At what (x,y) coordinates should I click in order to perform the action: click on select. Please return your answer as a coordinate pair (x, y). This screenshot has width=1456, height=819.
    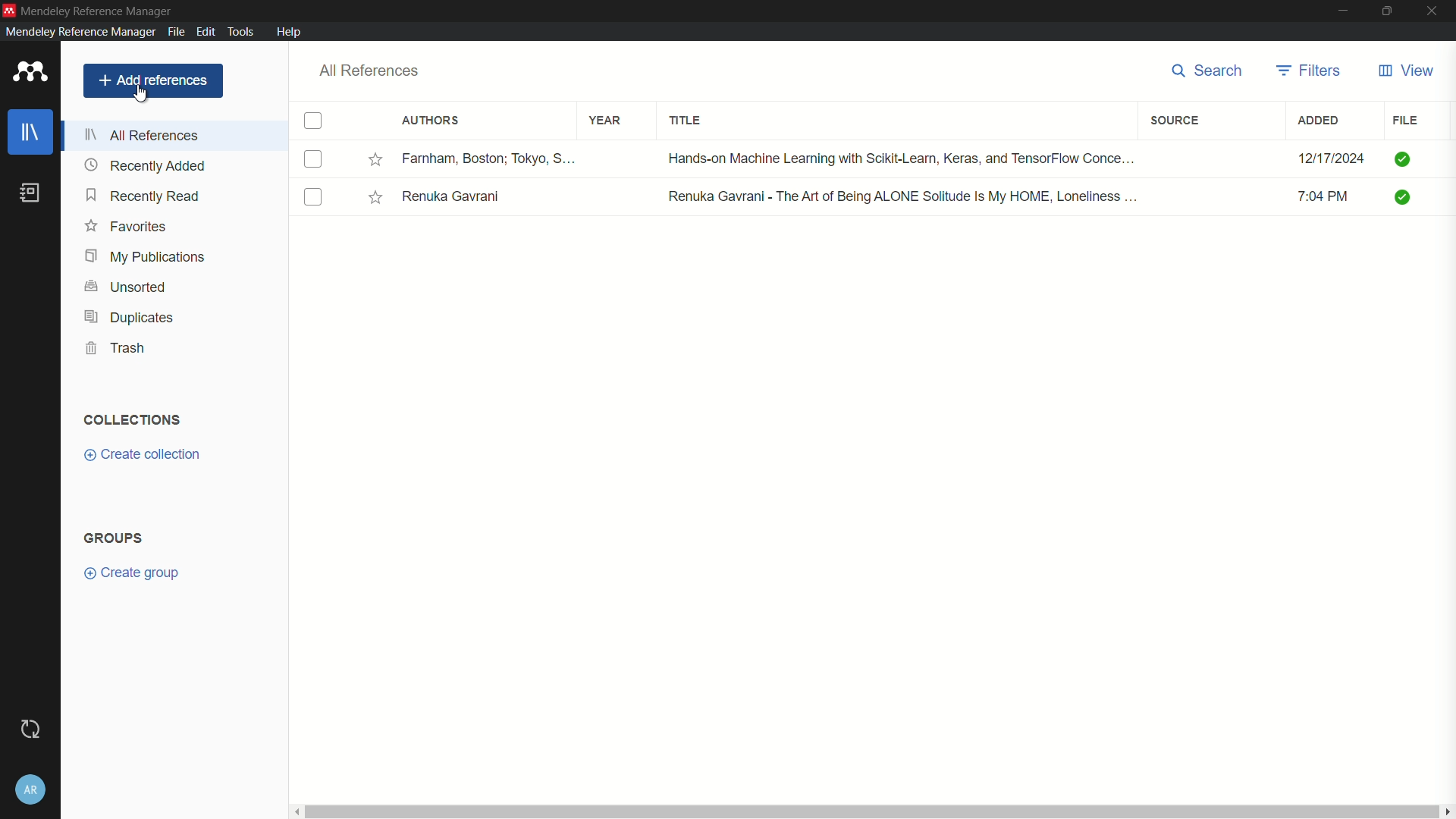
    Looking at the image, I should click on (314, 198).